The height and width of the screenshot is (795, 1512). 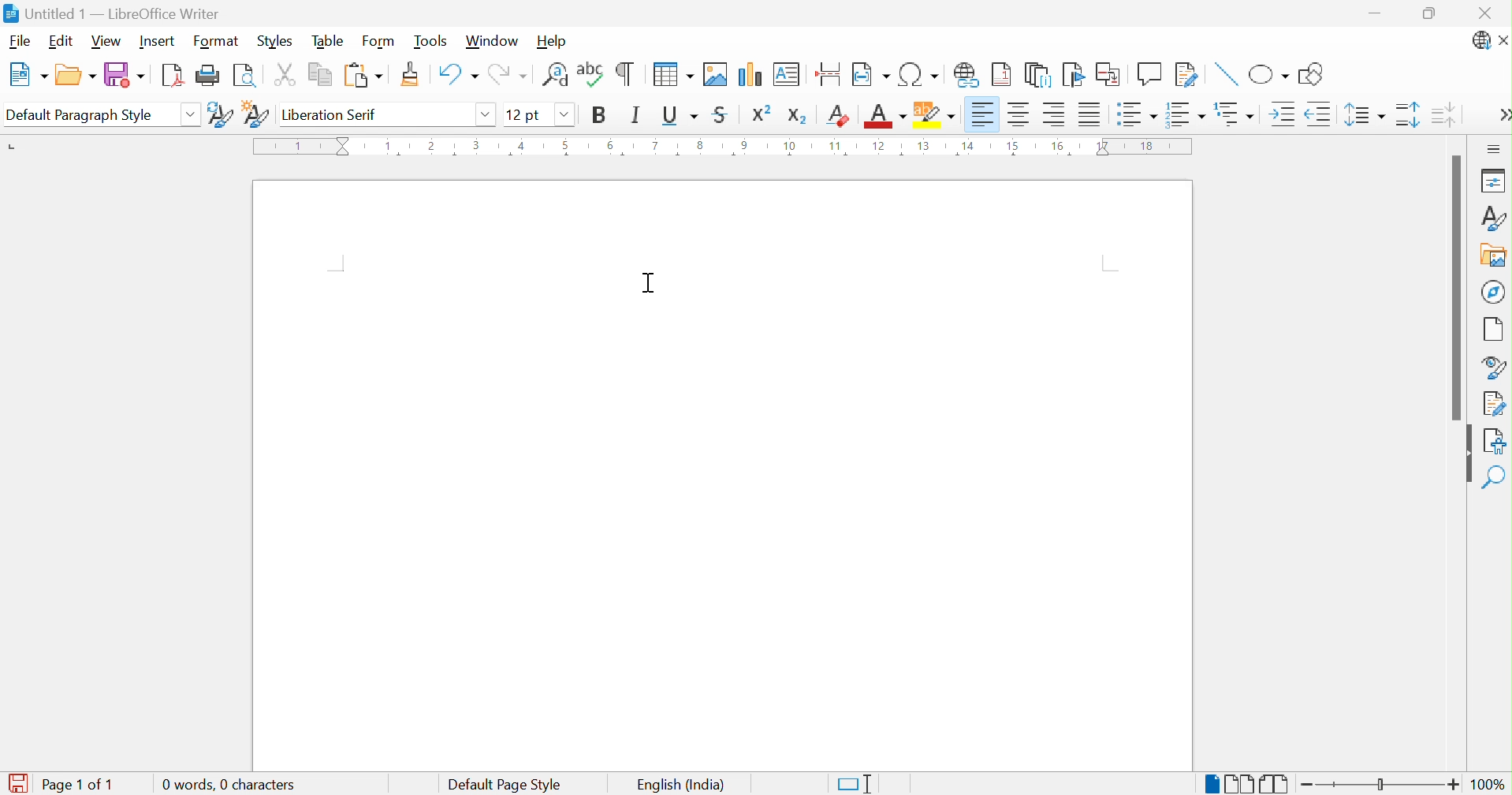 What do you see at coordinates (381, 39) in the screenshot?
I see `Form` at bounding box center [381, 39].